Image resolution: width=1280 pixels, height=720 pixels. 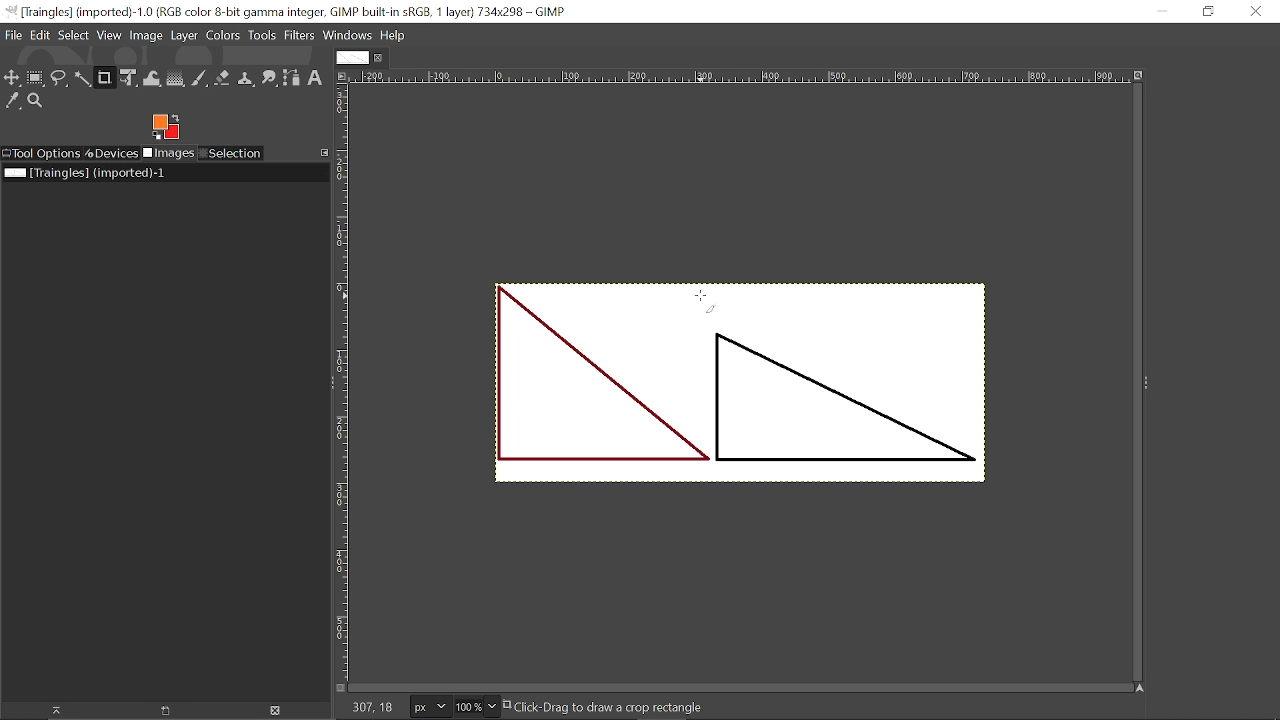 I want to click on Unified transform tool, so click(x=130, y=78).